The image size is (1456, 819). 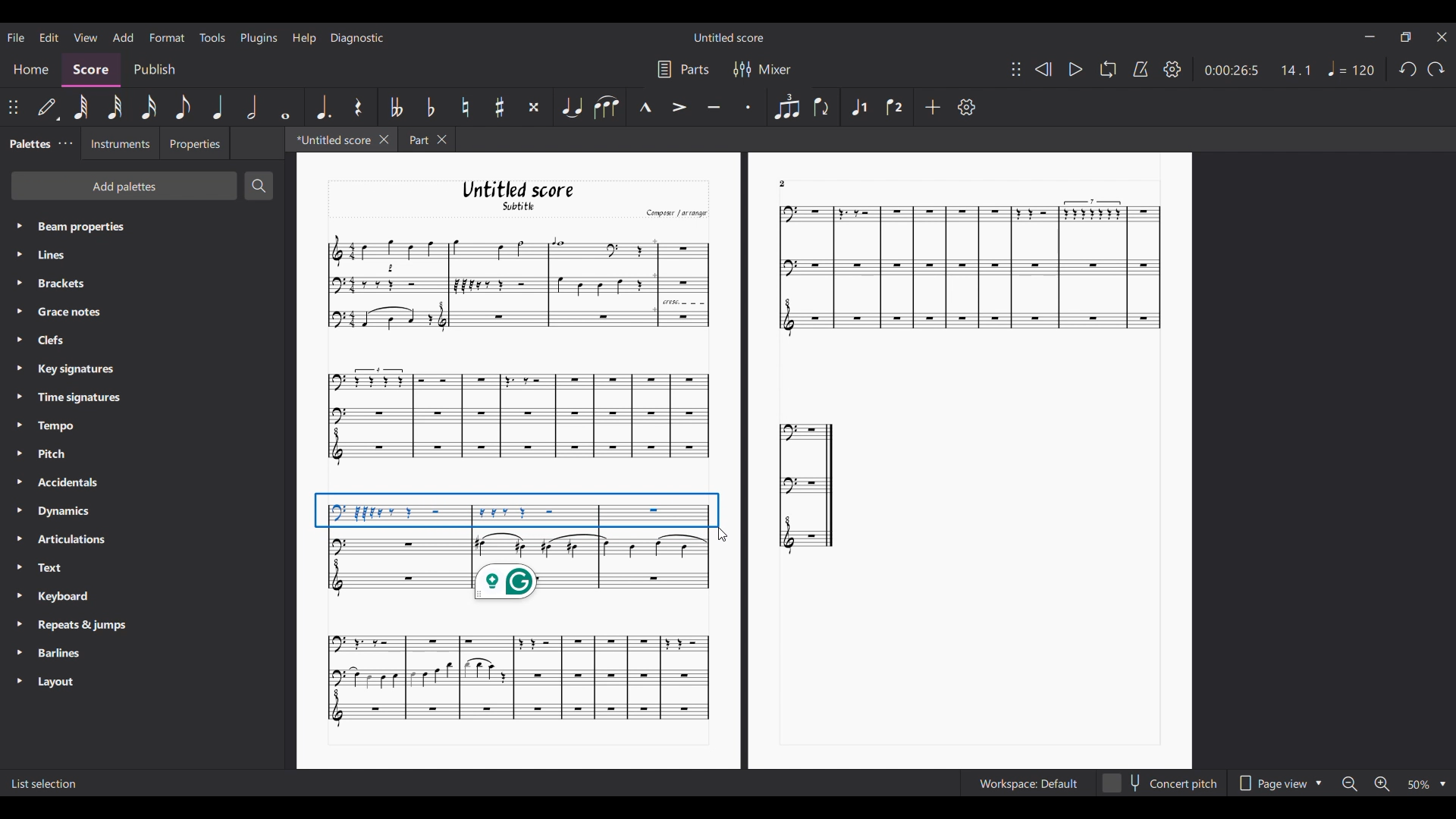 What do you see at coordinates (506, 582) in the screenshot?
I see `Grammarly extension` at bounding box center [506, 582].